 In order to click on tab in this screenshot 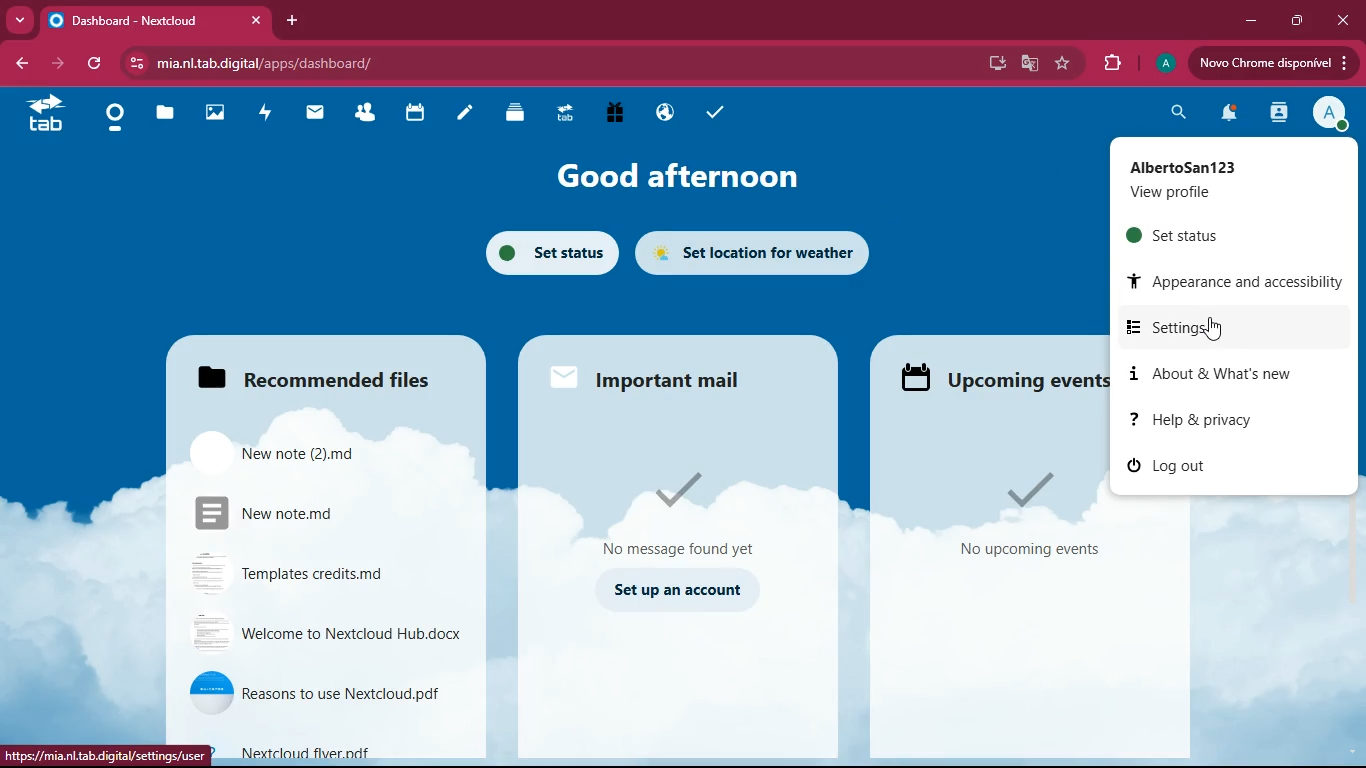, I will do `click(153, 21)`.